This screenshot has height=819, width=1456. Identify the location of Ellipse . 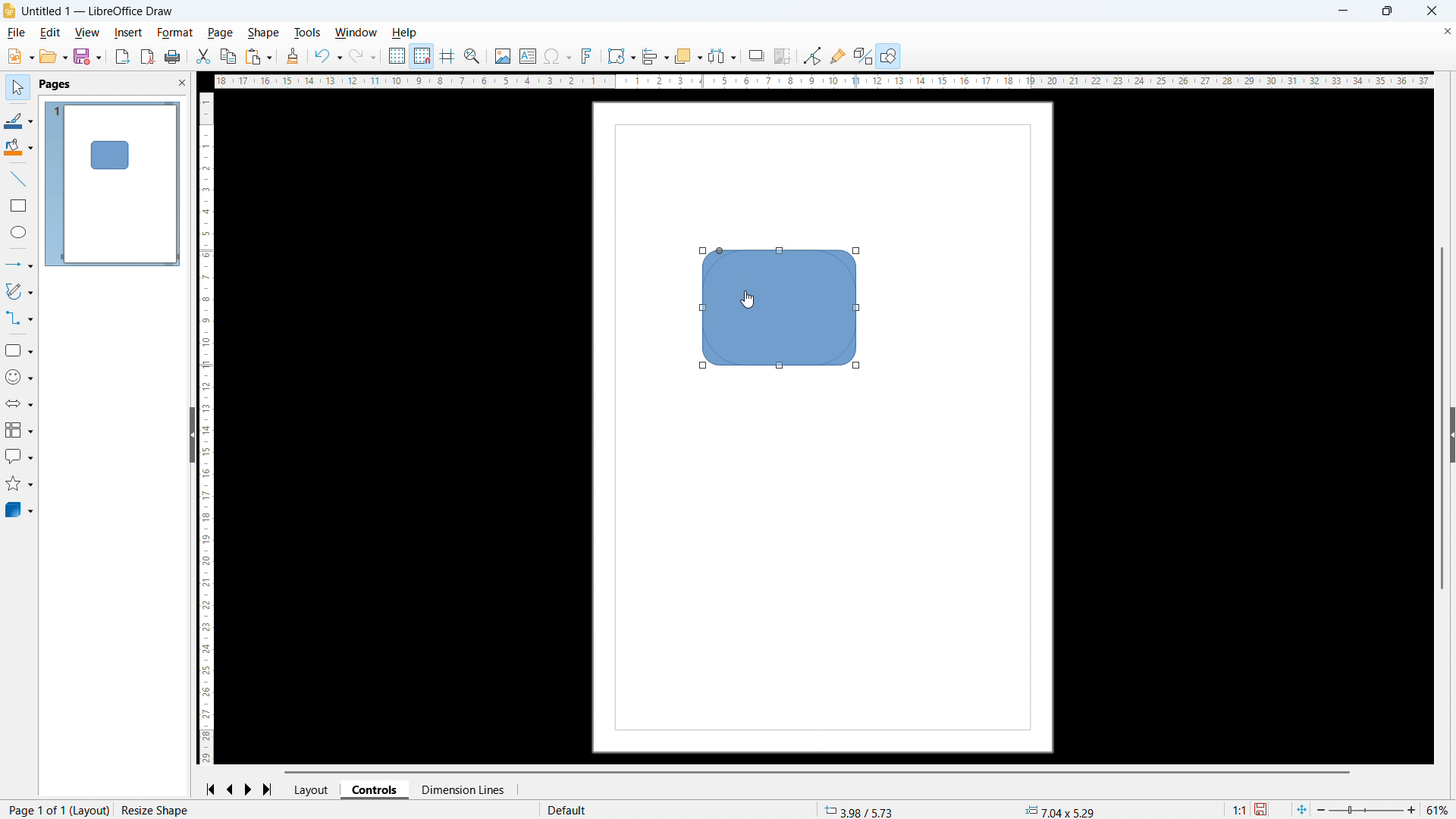
(19, 232).